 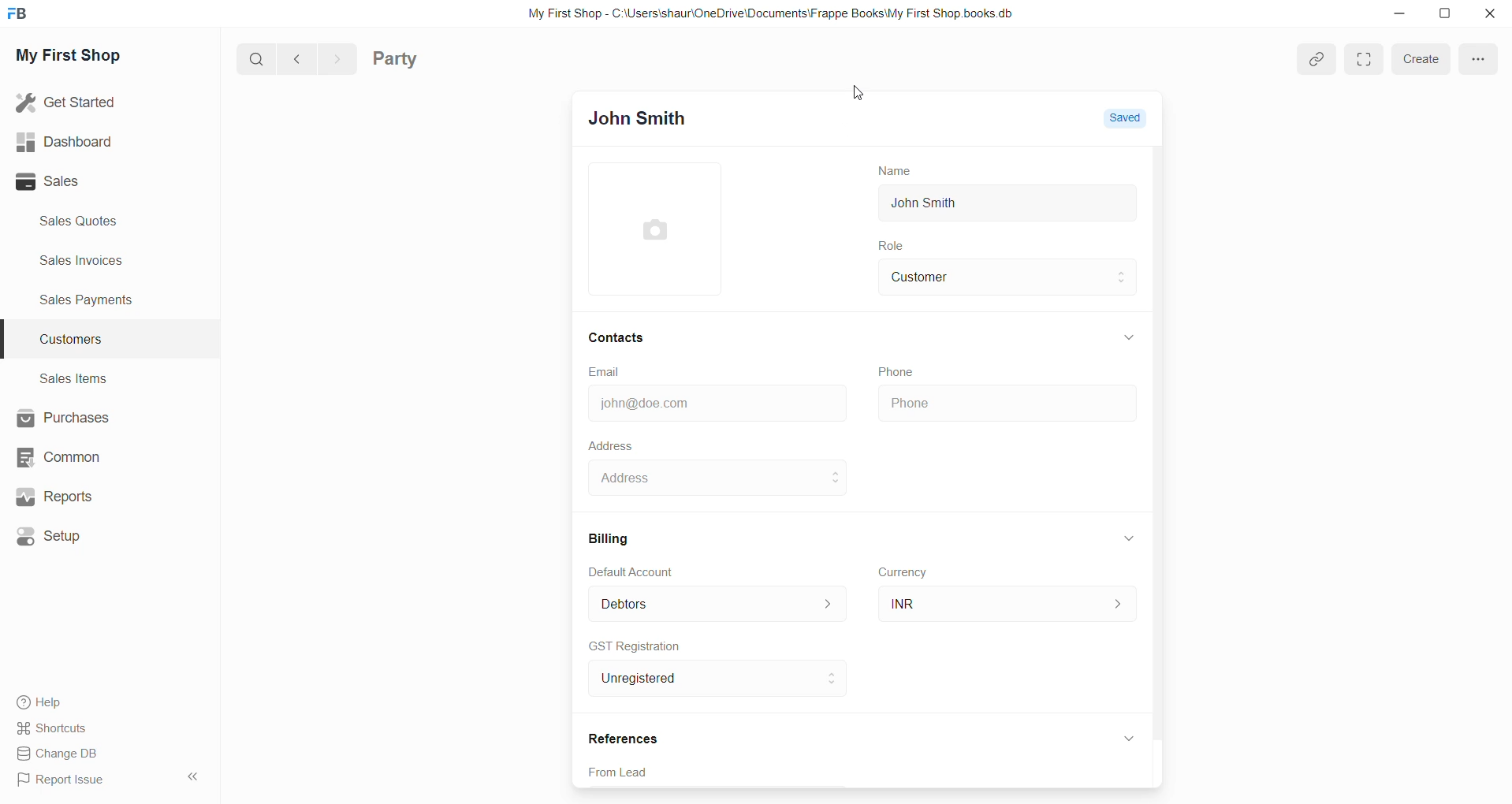 What do you see at coordinates (838, 485) in the screenshot?
I see `move to below address` at bounding box center [838, 485].